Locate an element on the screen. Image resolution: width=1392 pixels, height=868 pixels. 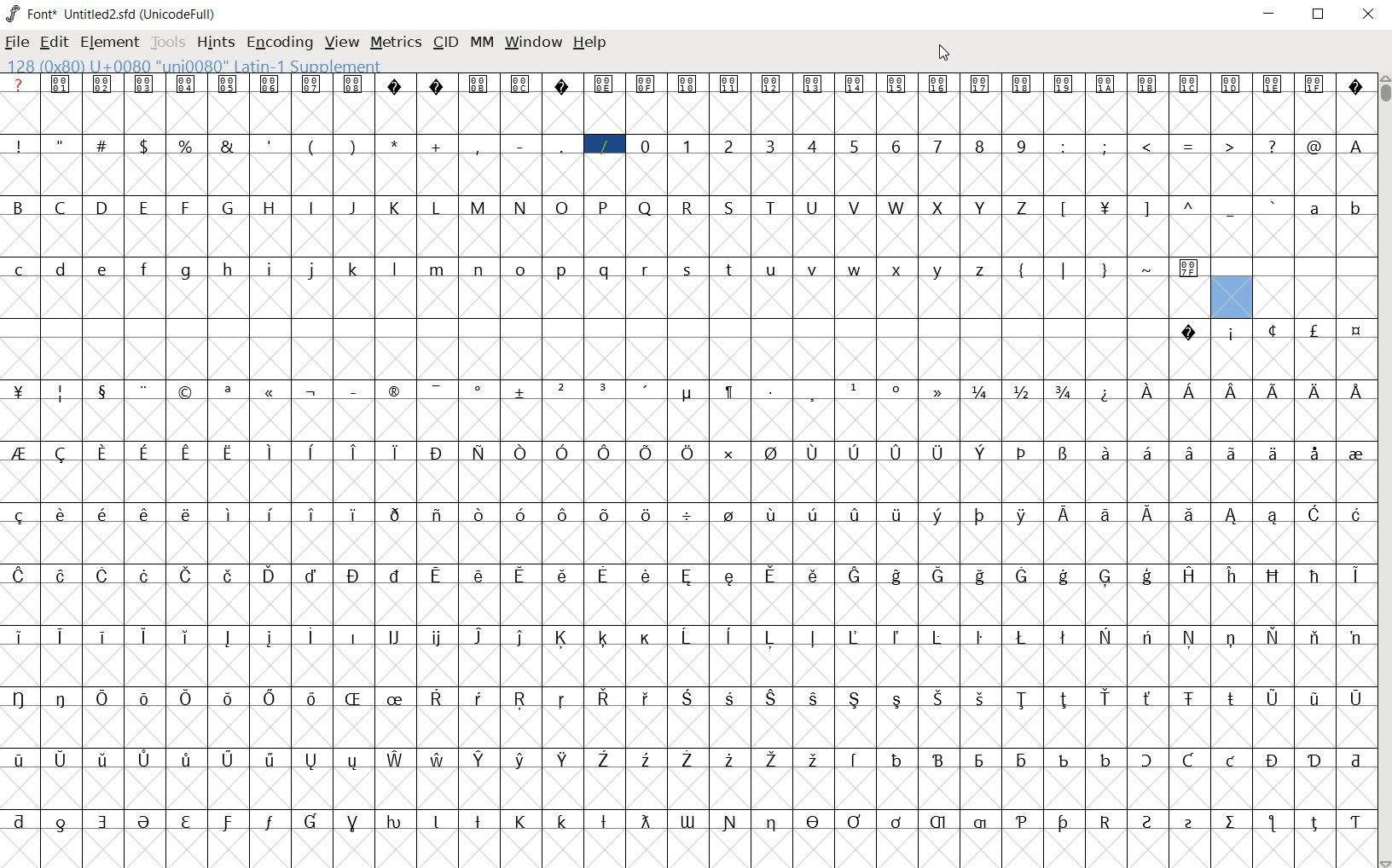
glyph is located at coordinates (519, 638).